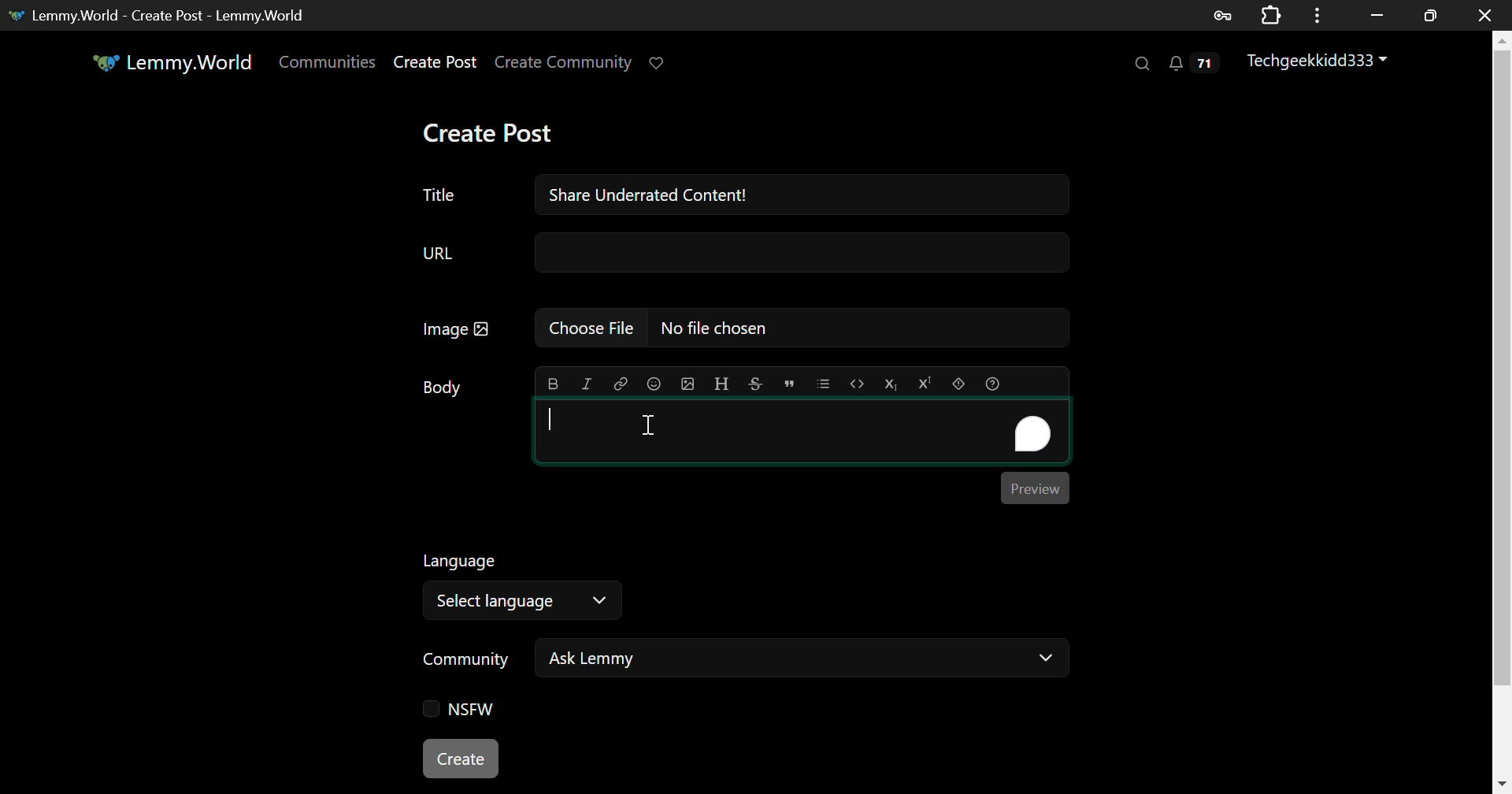  Describe the element at coordinates (1485, 13) in the screenshot. I see `Close Window` at that location.